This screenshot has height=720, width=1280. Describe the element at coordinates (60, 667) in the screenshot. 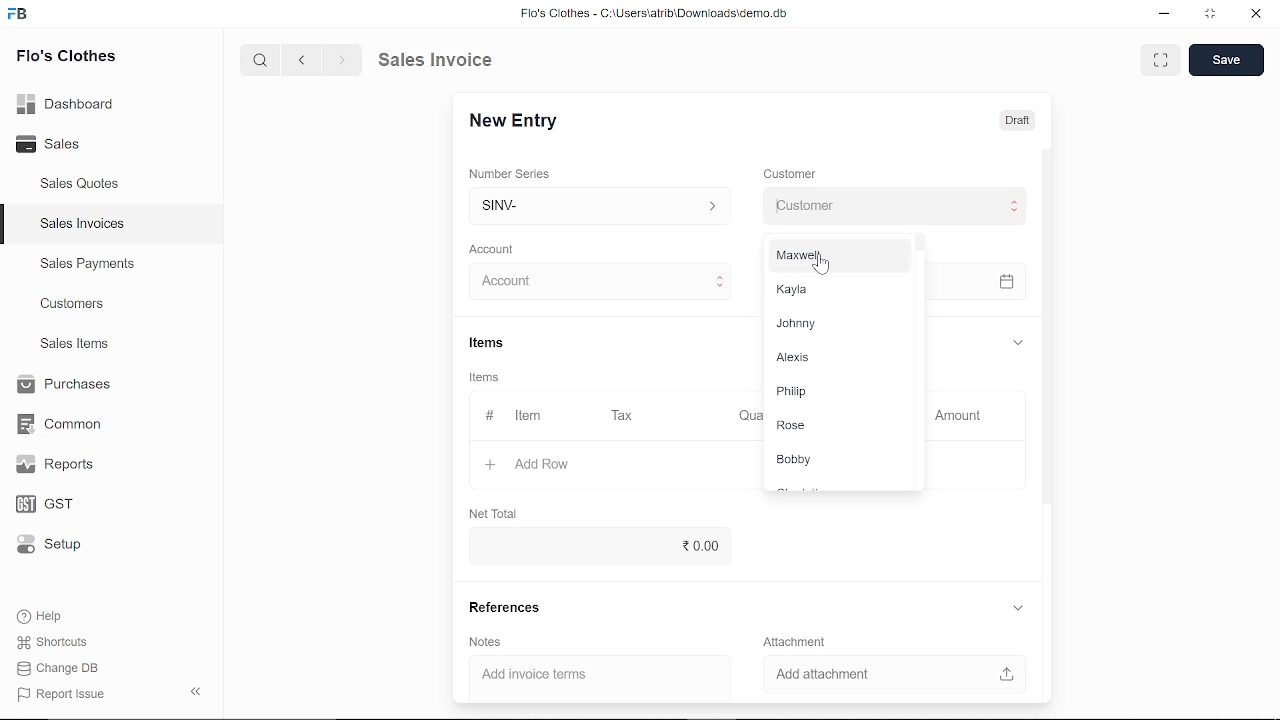

I see `Change DB` at that location.